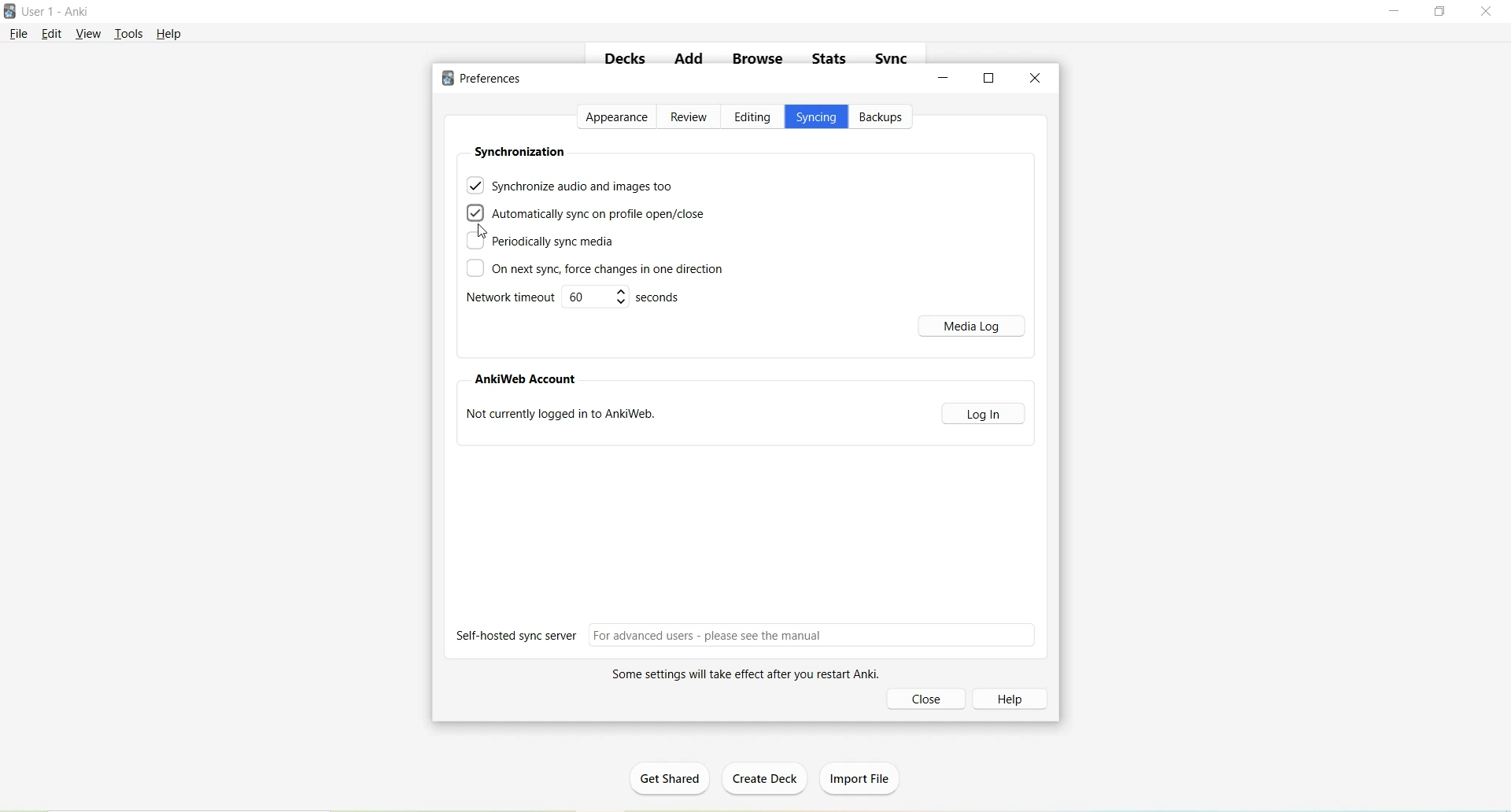  Describe the element at coordinates (1490, 12) in the screenshot. I see `Close` at that location.